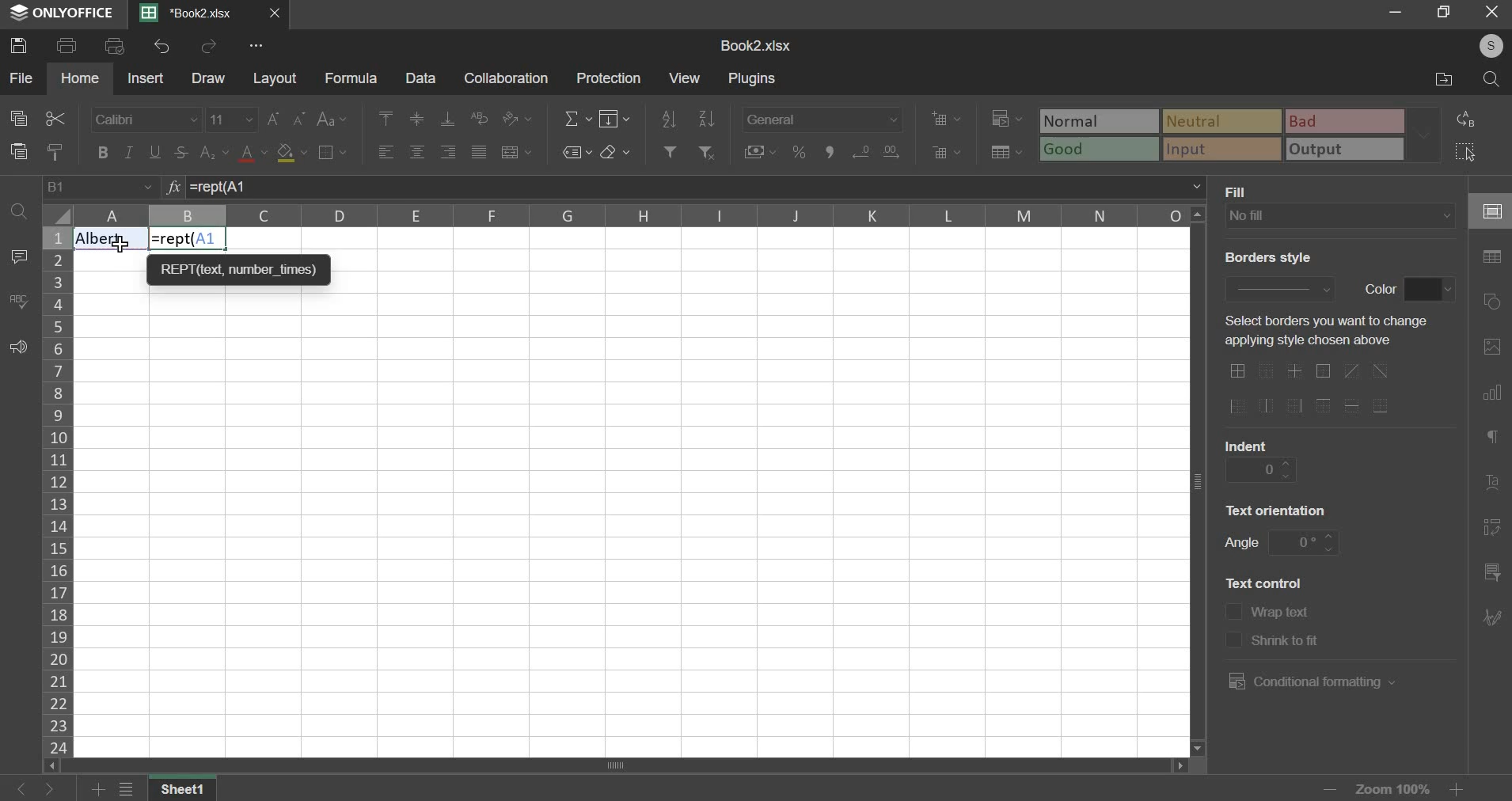  What do you see at coordinates (754, 79) in the screenshot?
I see `plugins` at bounding box center [754, 79].